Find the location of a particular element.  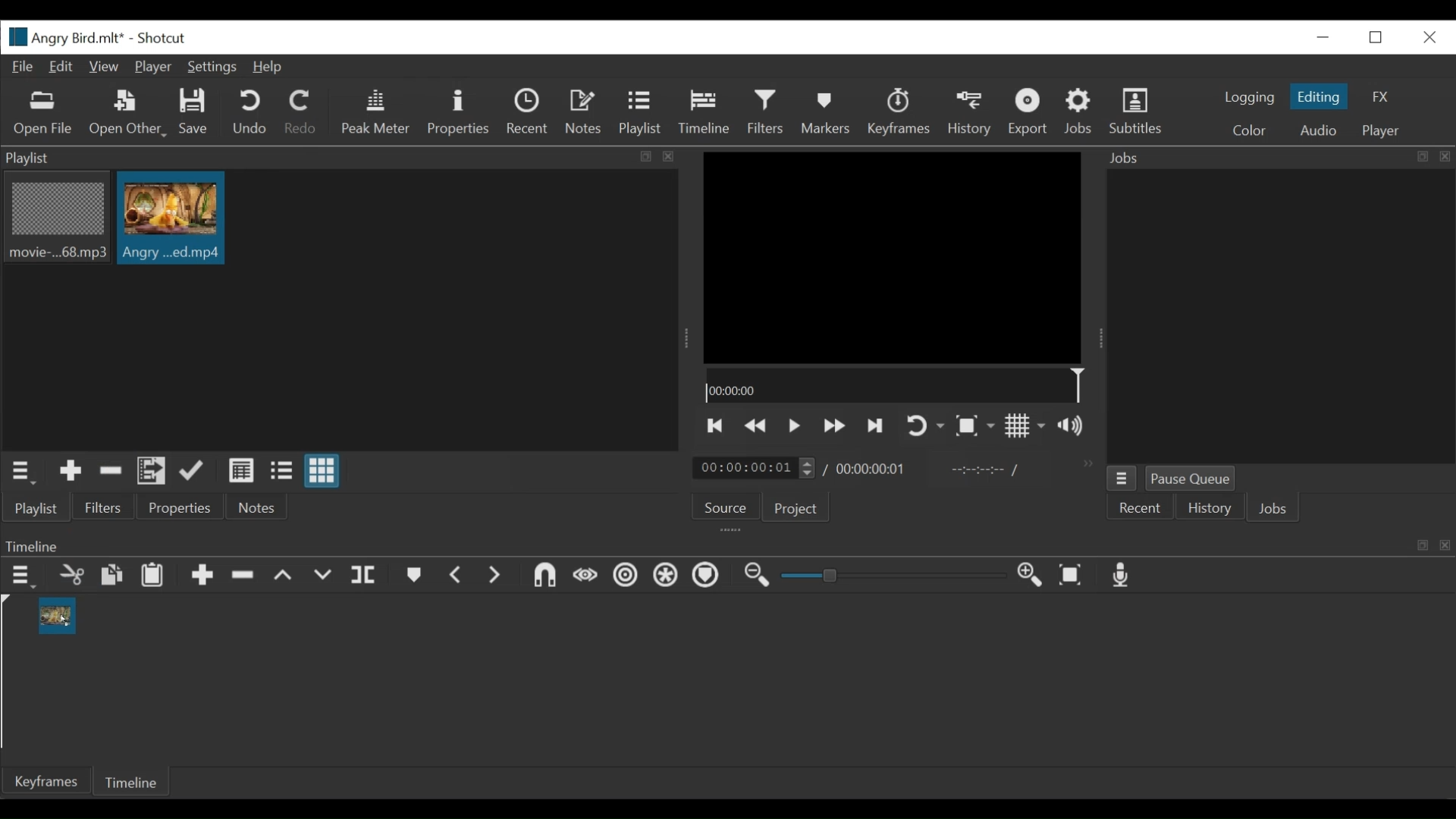

Restore is located at coordinates (1375, 37).